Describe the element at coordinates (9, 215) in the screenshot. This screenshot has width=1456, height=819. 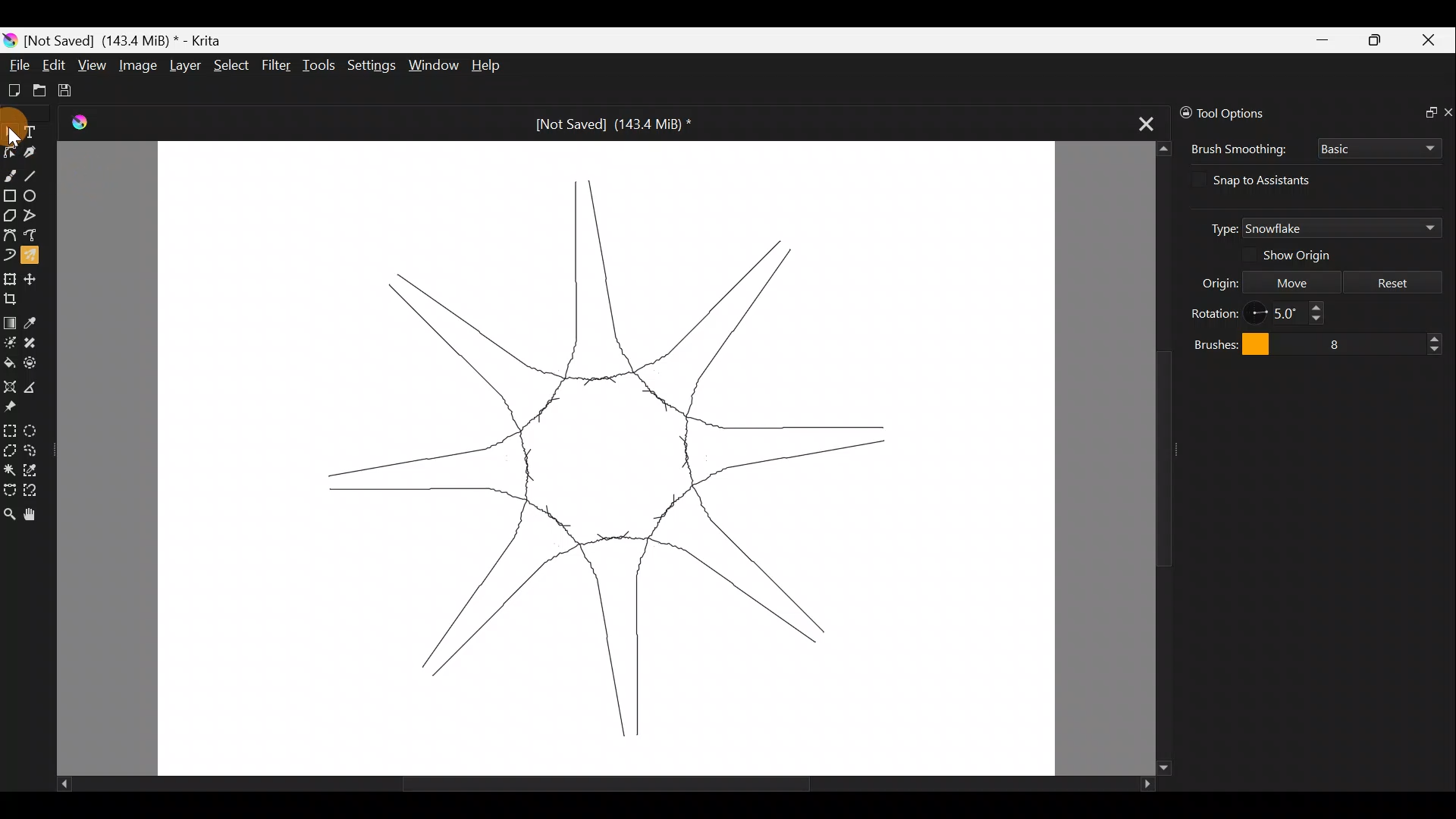
I see `Polygon` at that location.